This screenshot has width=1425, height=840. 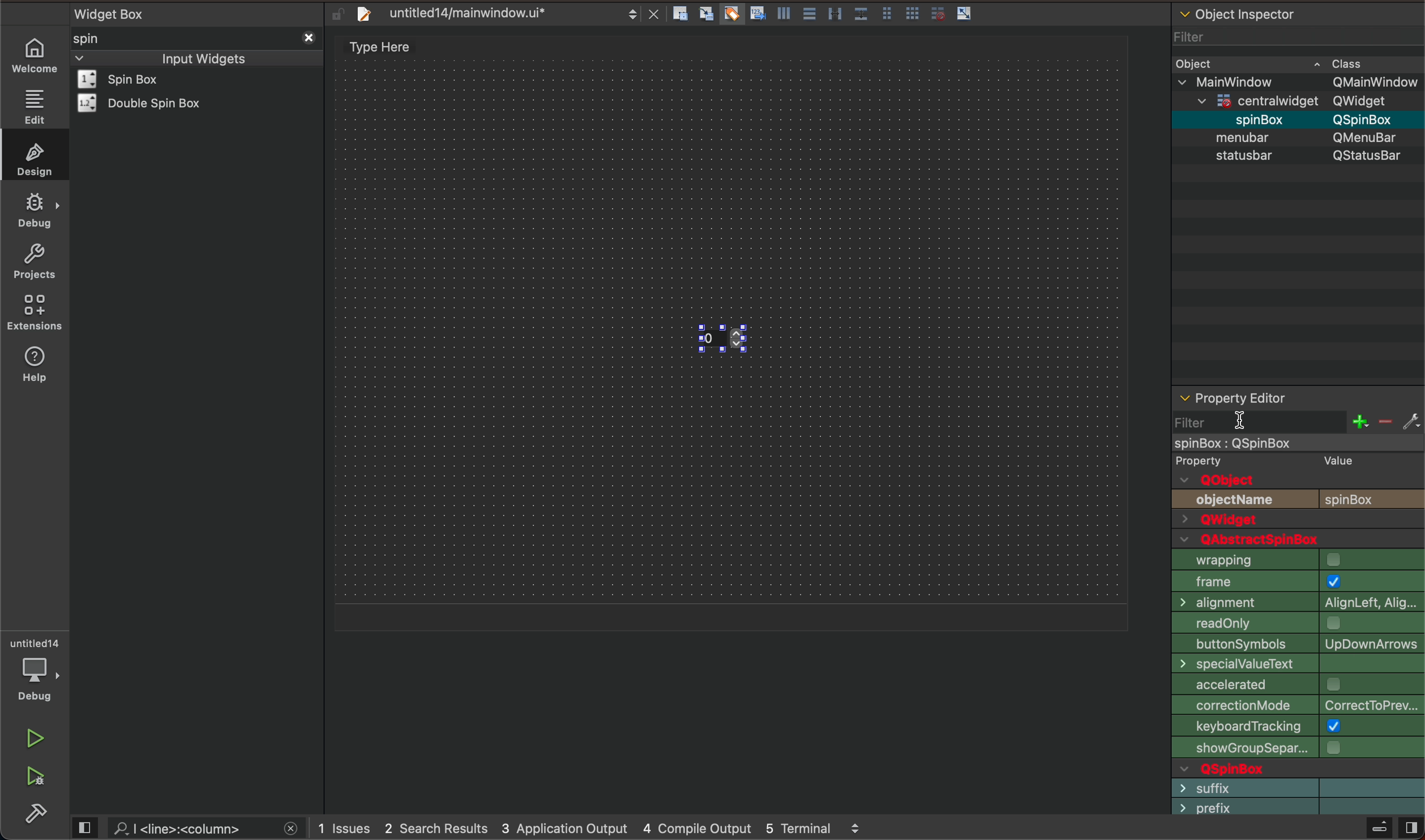 I want to click on , so click(x=1368, y=119).